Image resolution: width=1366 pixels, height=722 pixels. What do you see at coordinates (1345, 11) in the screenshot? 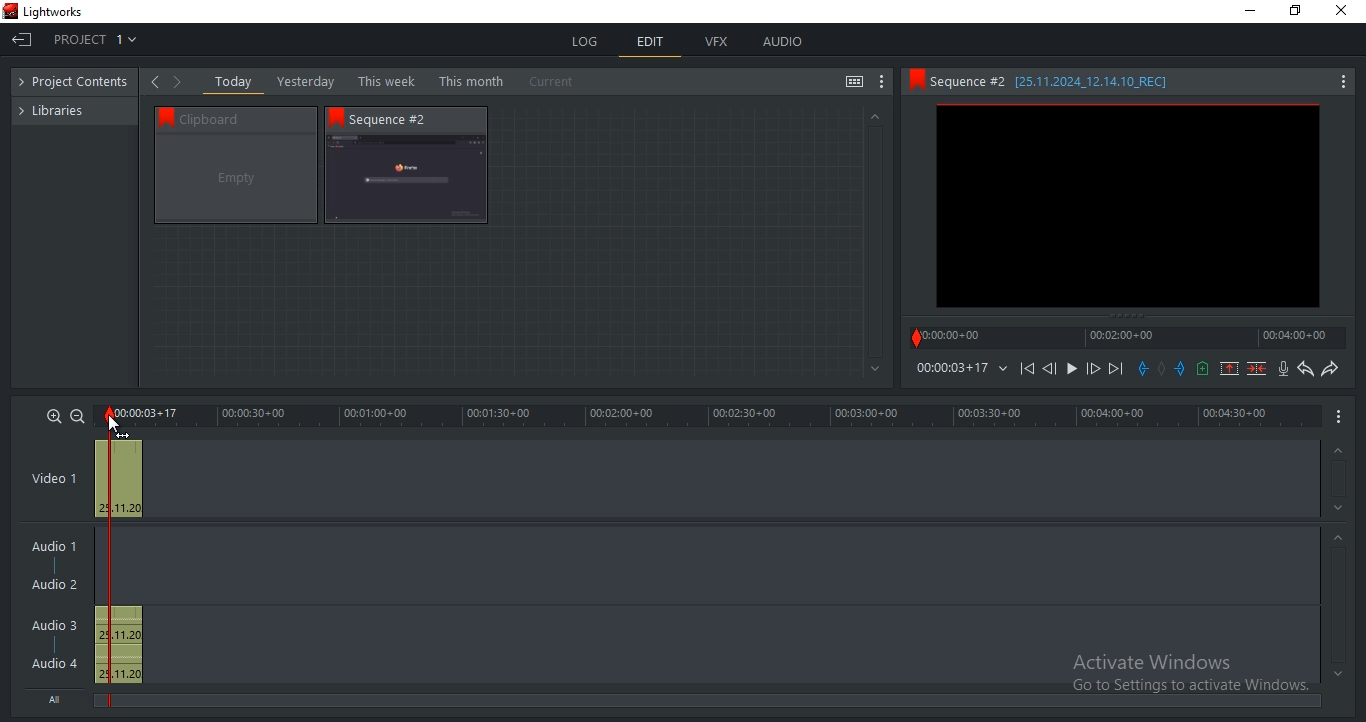
I see `Close` at bounding box center [1345, 11].